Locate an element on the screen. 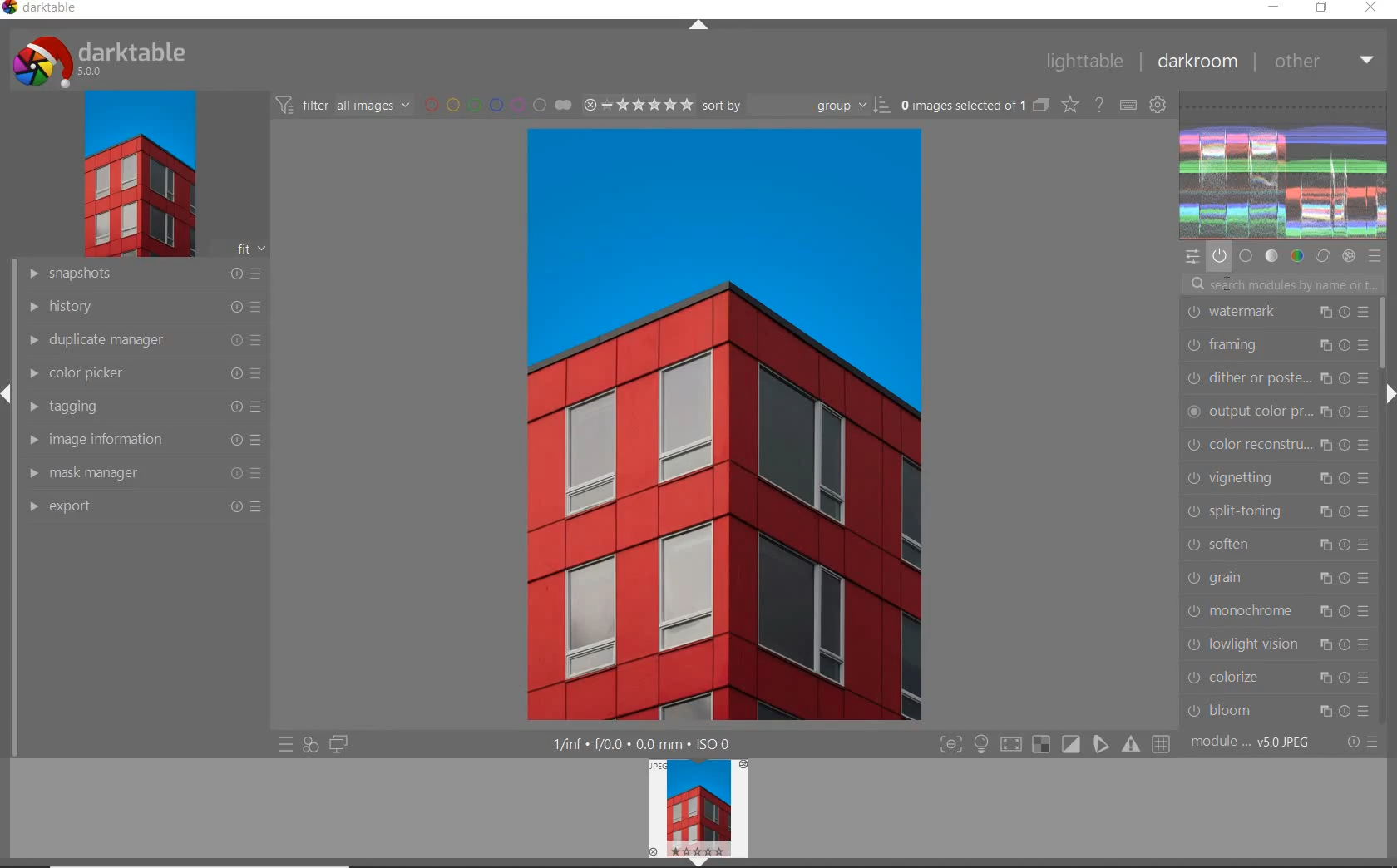  color picker is located at coordinates (144, 373).